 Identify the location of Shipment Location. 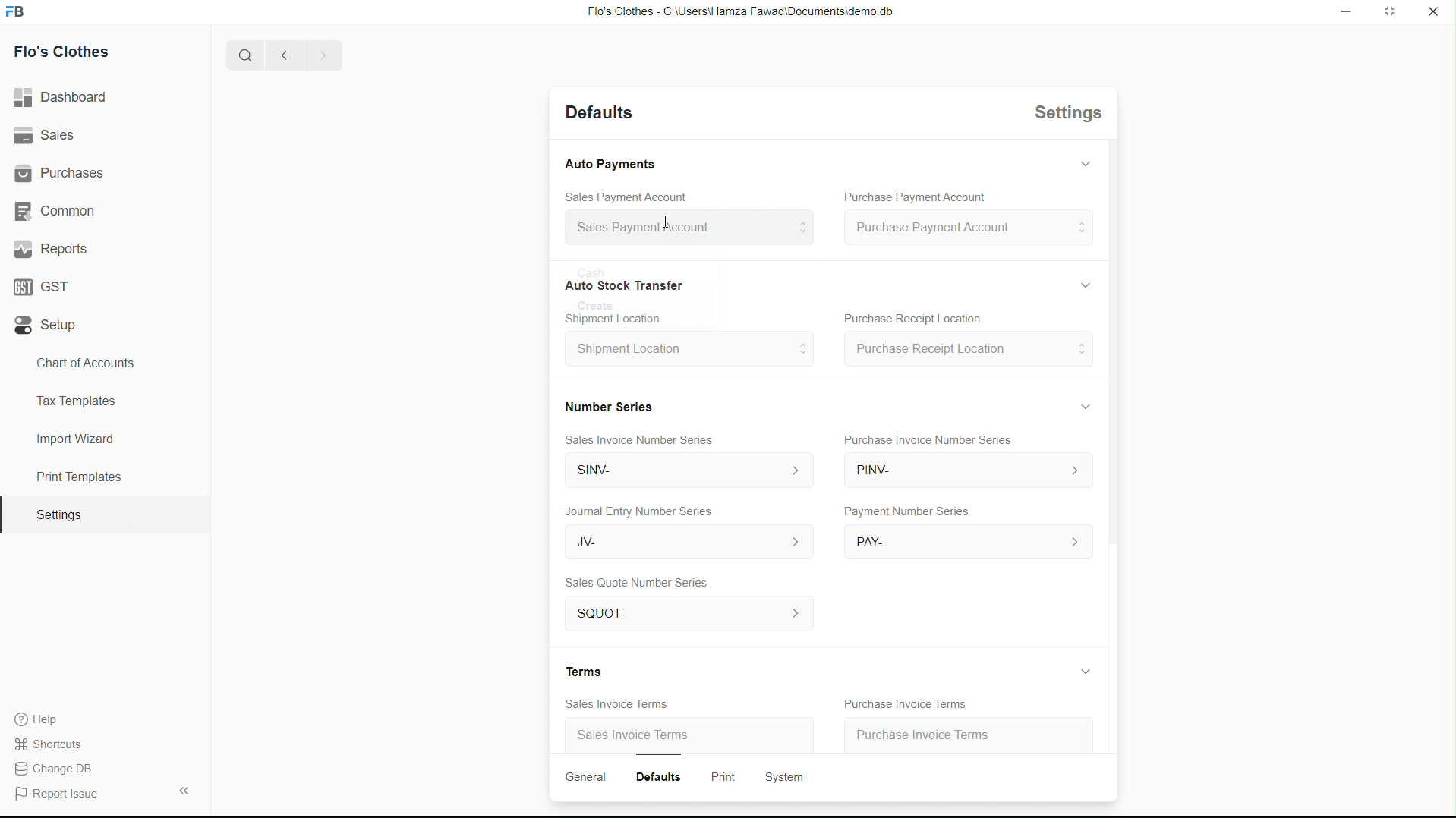
(612, 319).